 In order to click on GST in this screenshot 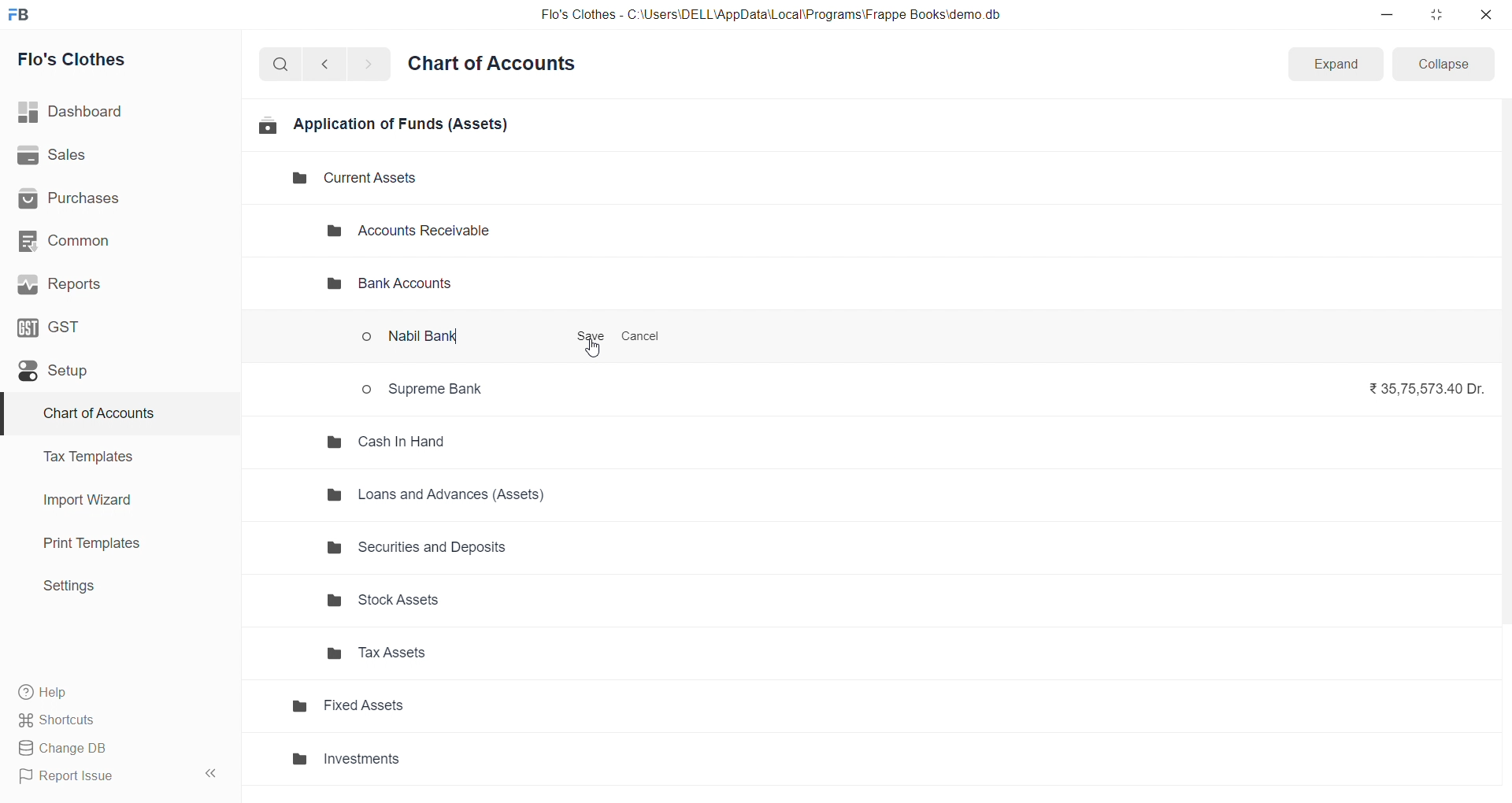, I will do `click(109, 326)`.